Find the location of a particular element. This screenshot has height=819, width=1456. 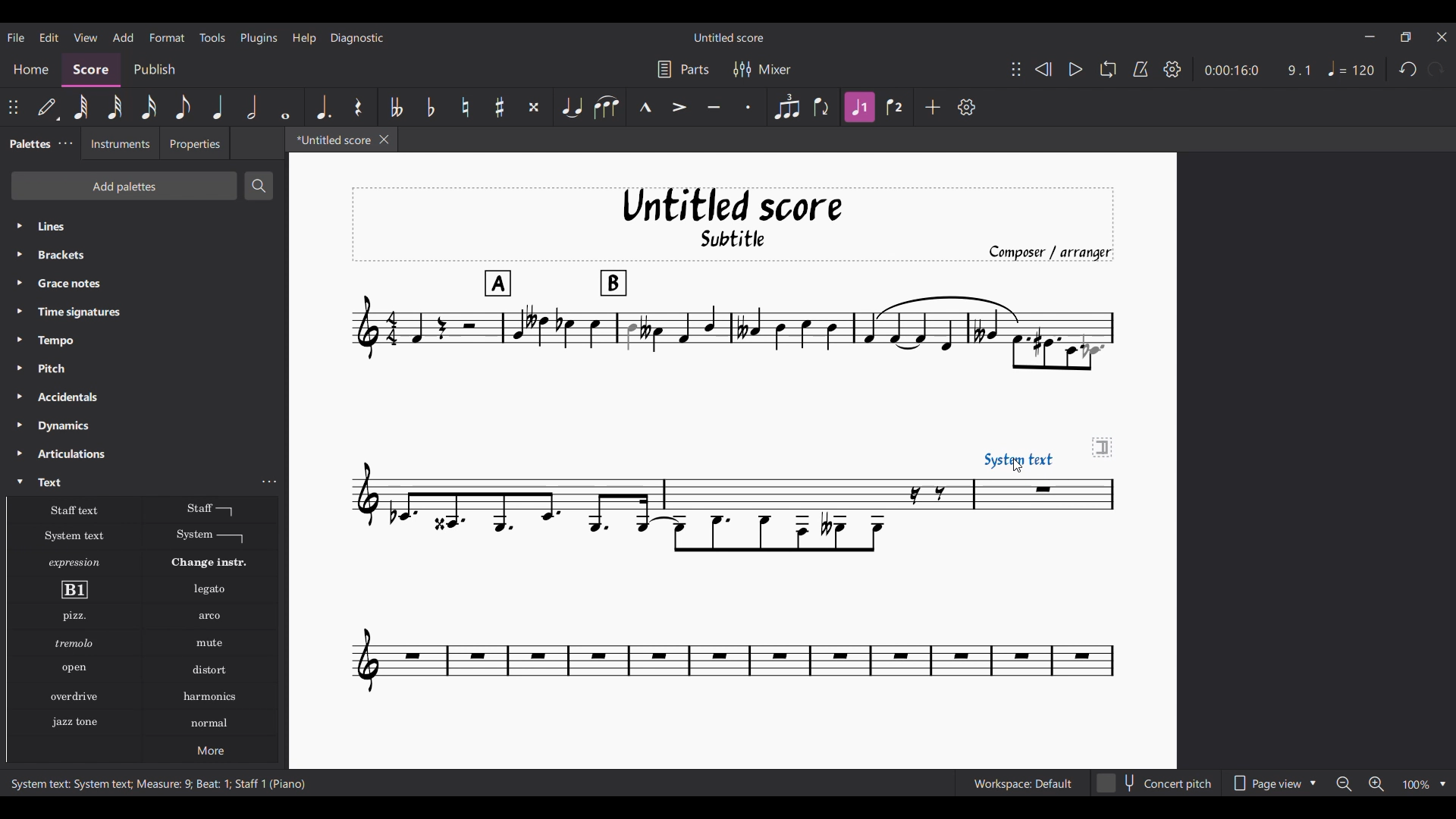

Toggle flat is located at coordinates (431, 107).